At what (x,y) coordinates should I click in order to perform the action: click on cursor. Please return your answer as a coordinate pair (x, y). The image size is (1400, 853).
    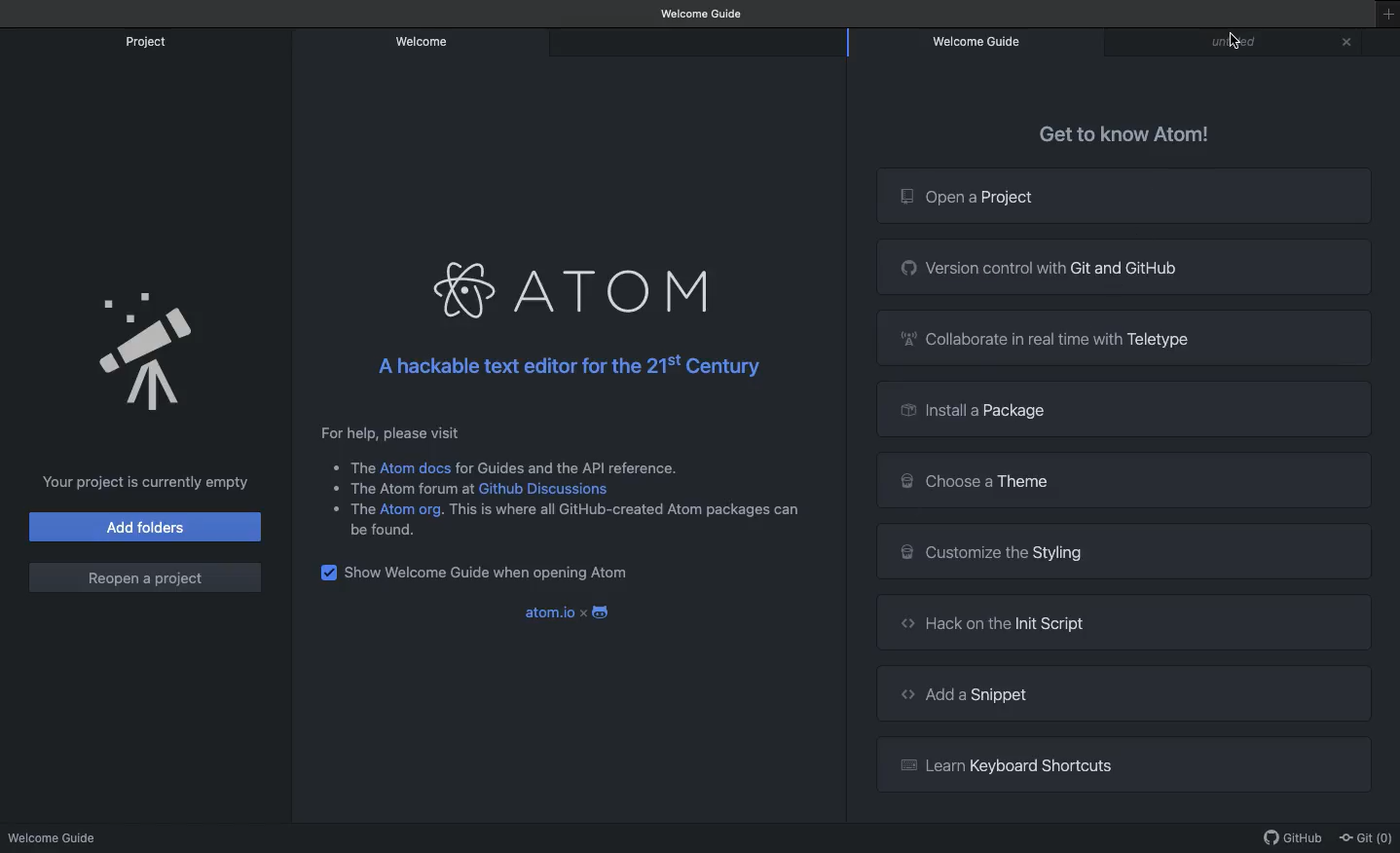
    Looking at the image, I should click on (1233, 41).